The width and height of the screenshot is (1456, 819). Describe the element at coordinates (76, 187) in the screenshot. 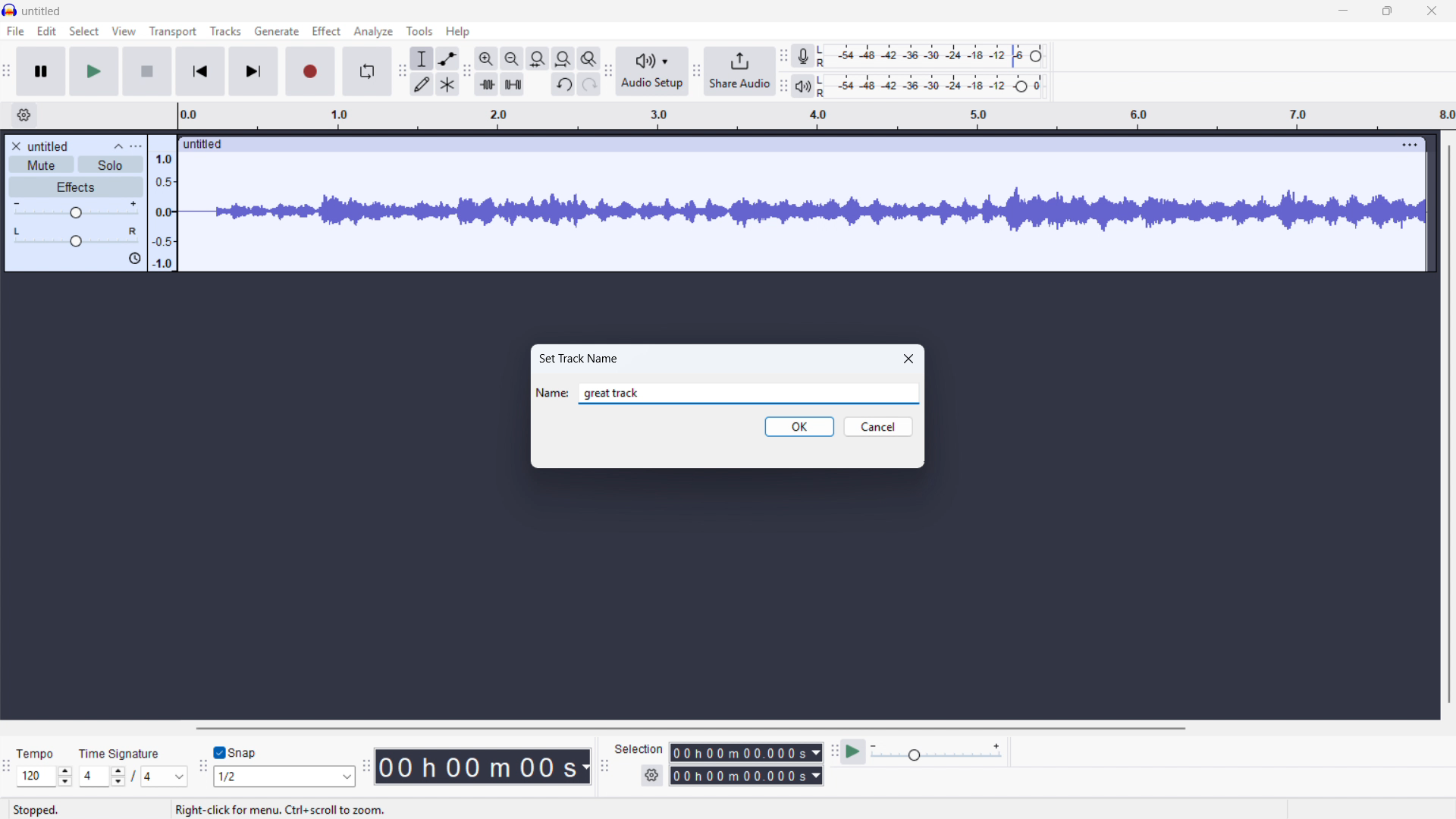

I see `Effects ` at that location.